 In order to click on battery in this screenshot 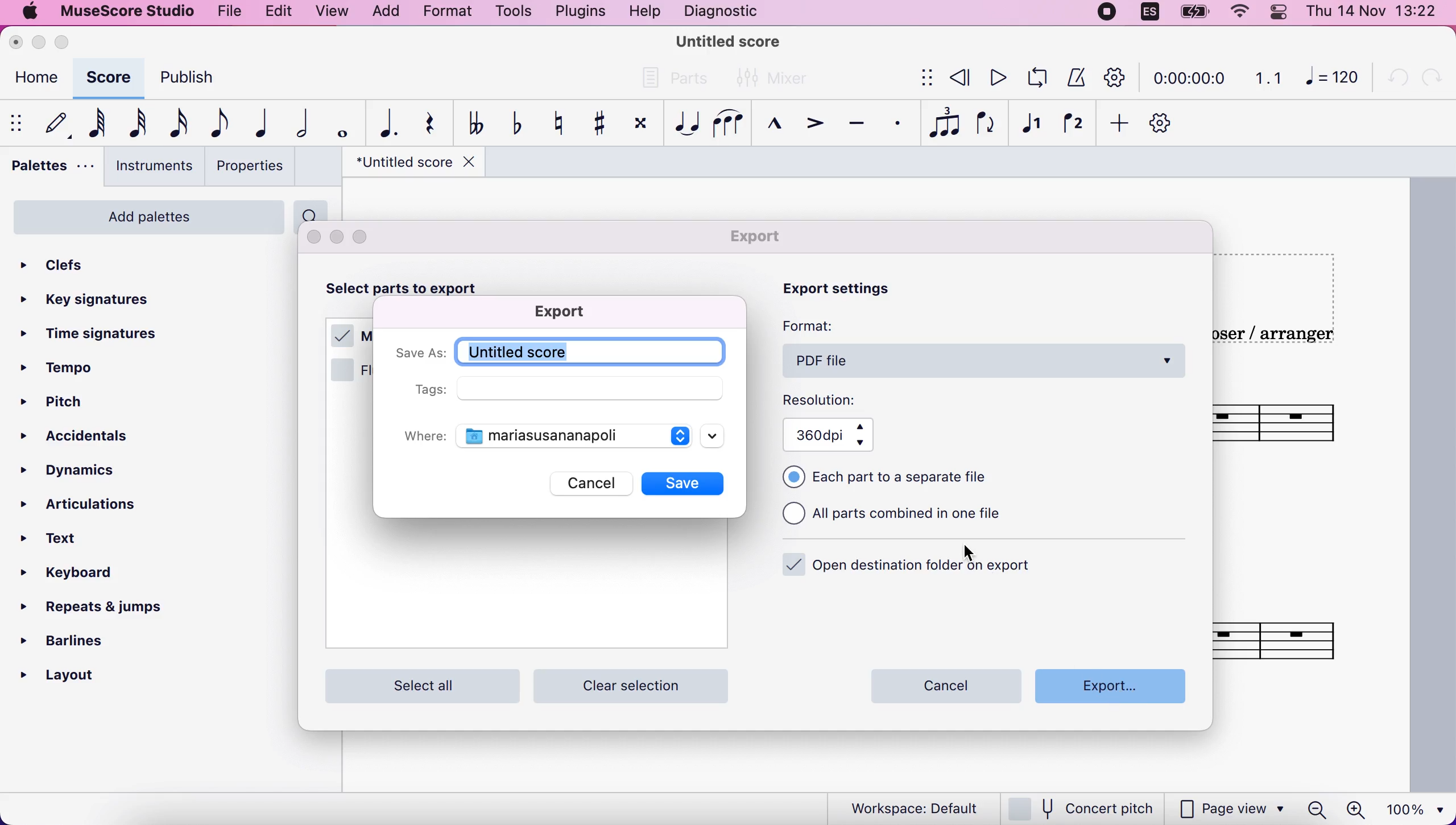, I will do `click(1192, 13)`.